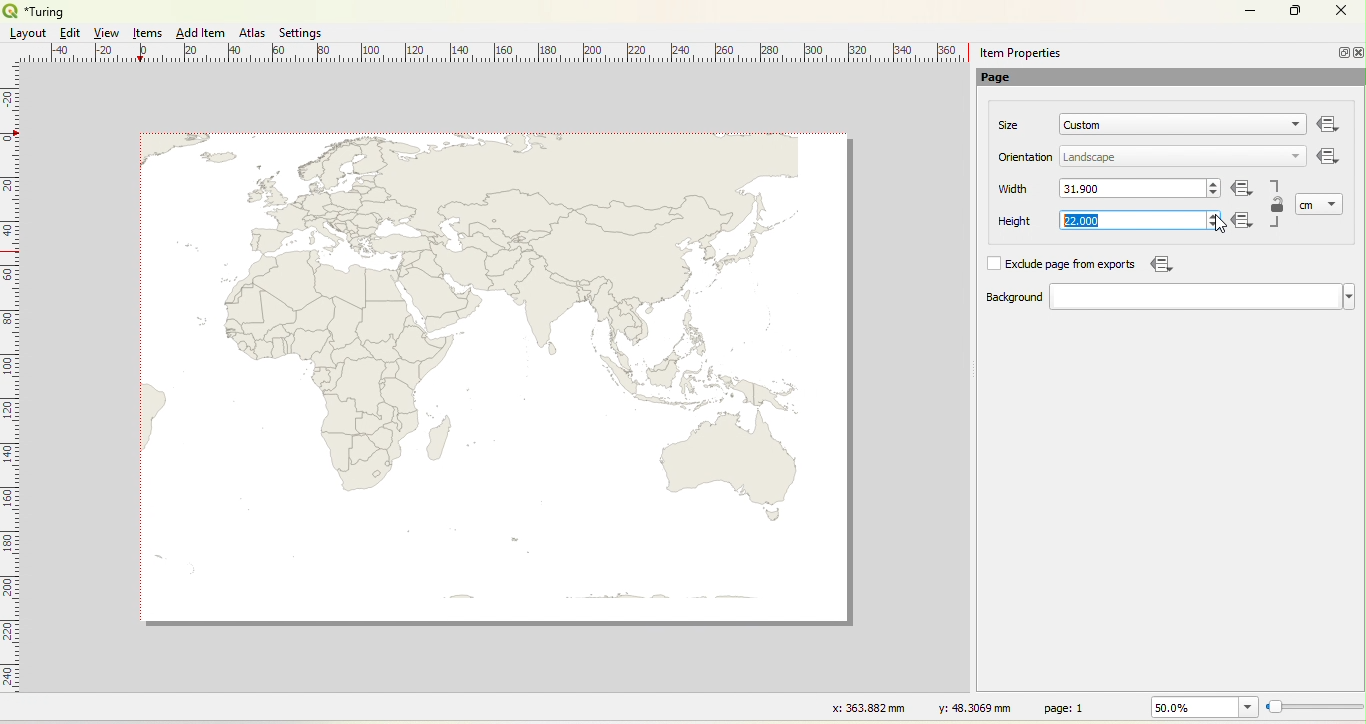 This screenshot has width=1366, height=724. What do you see at coordinates (1278, 206) in the screenshot?
I see `Lock/Unlock` at bounding box center [1278, 206].